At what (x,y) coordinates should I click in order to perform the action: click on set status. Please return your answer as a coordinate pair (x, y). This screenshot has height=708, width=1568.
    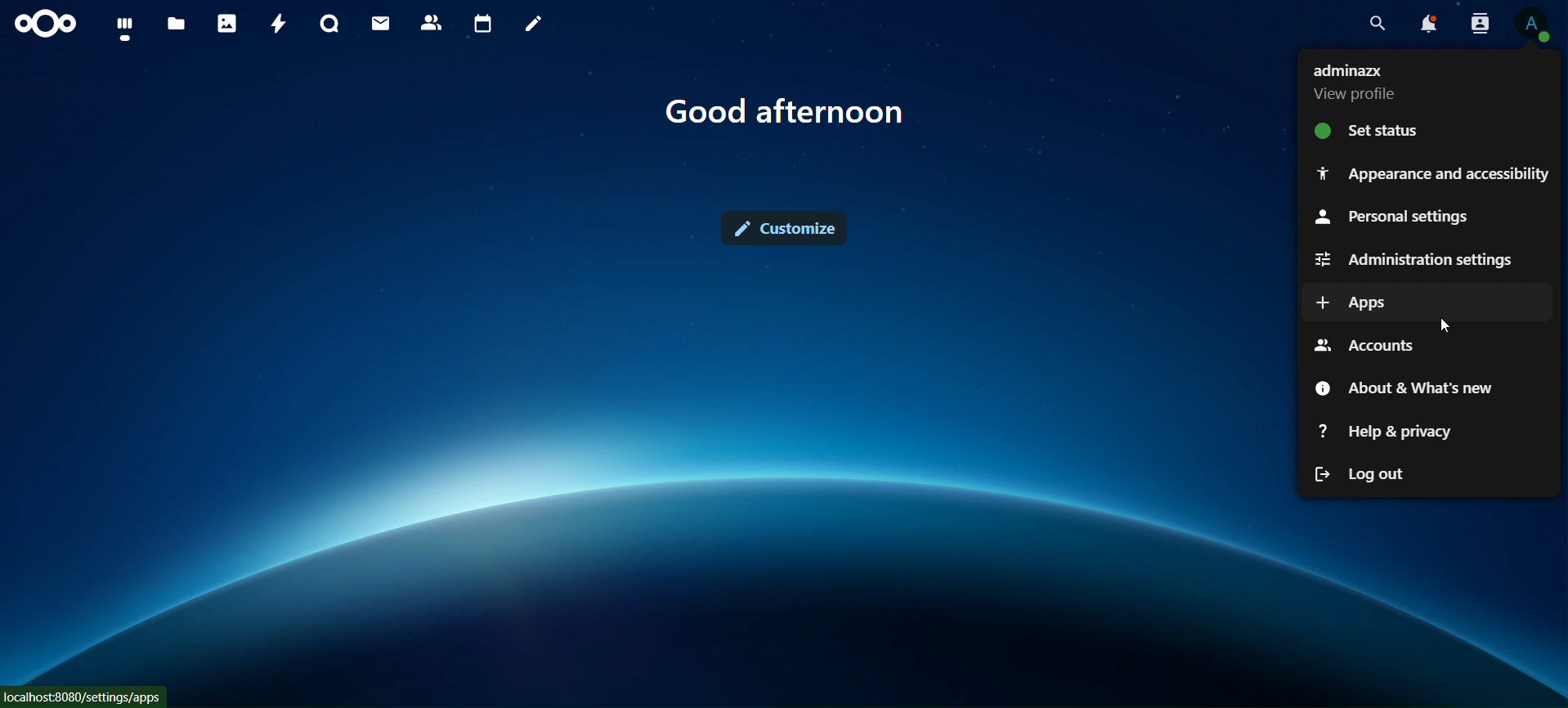
    Looking at the image, I should click on (1375, 131).